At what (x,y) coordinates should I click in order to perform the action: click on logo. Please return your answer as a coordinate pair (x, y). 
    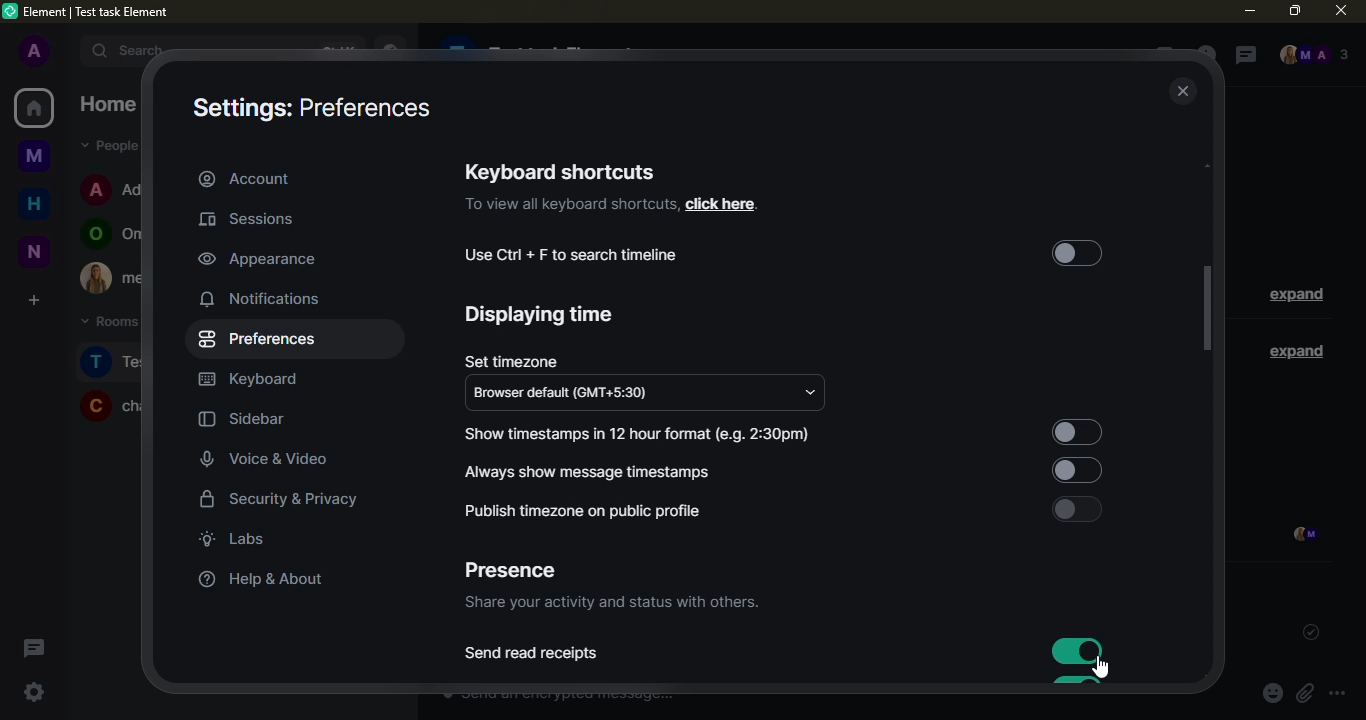
    Looking at the image, I should click on (11, 11).